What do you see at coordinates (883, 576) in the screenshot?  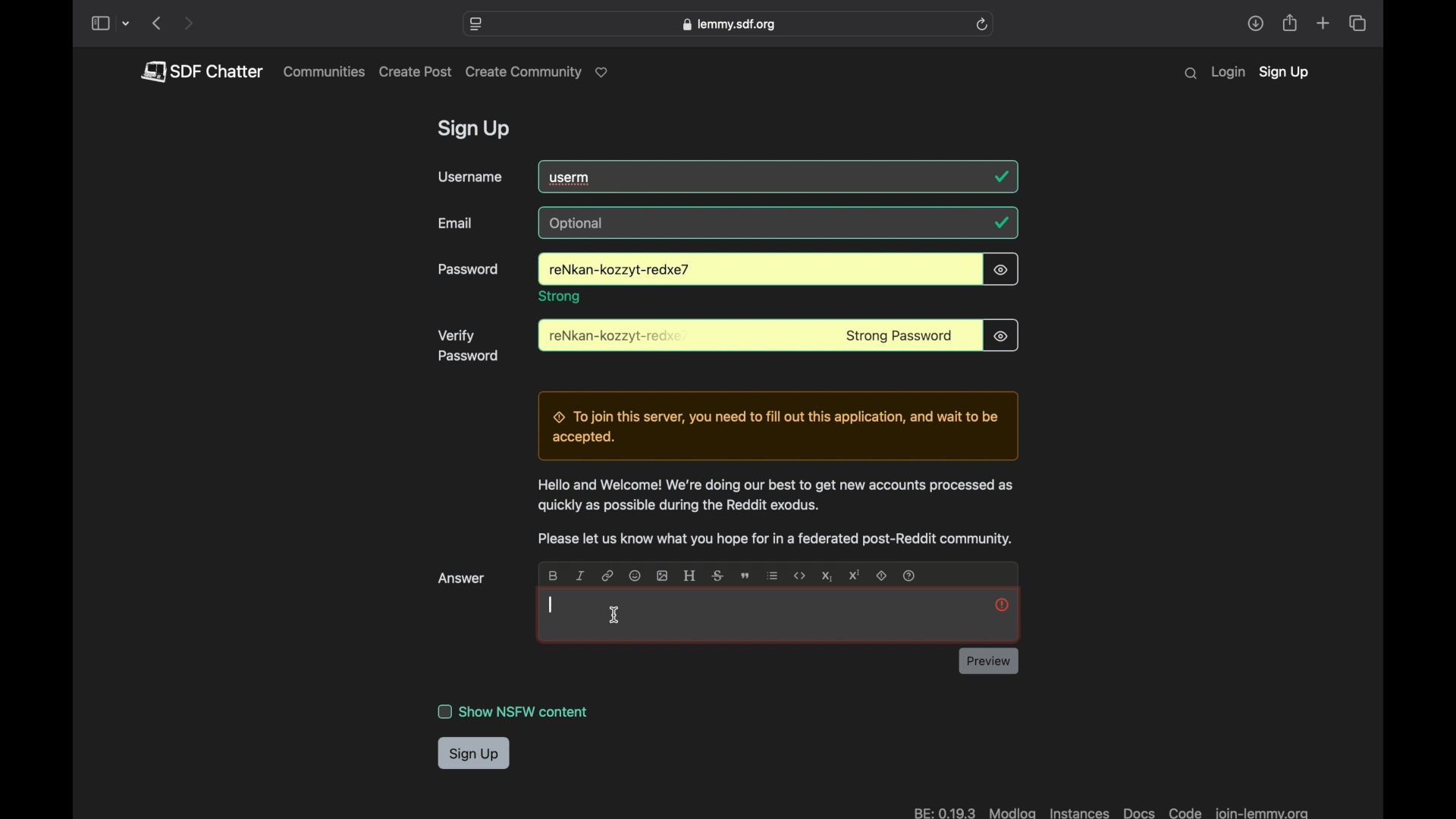 I see `spoiler` at bounding box center [883, 576].